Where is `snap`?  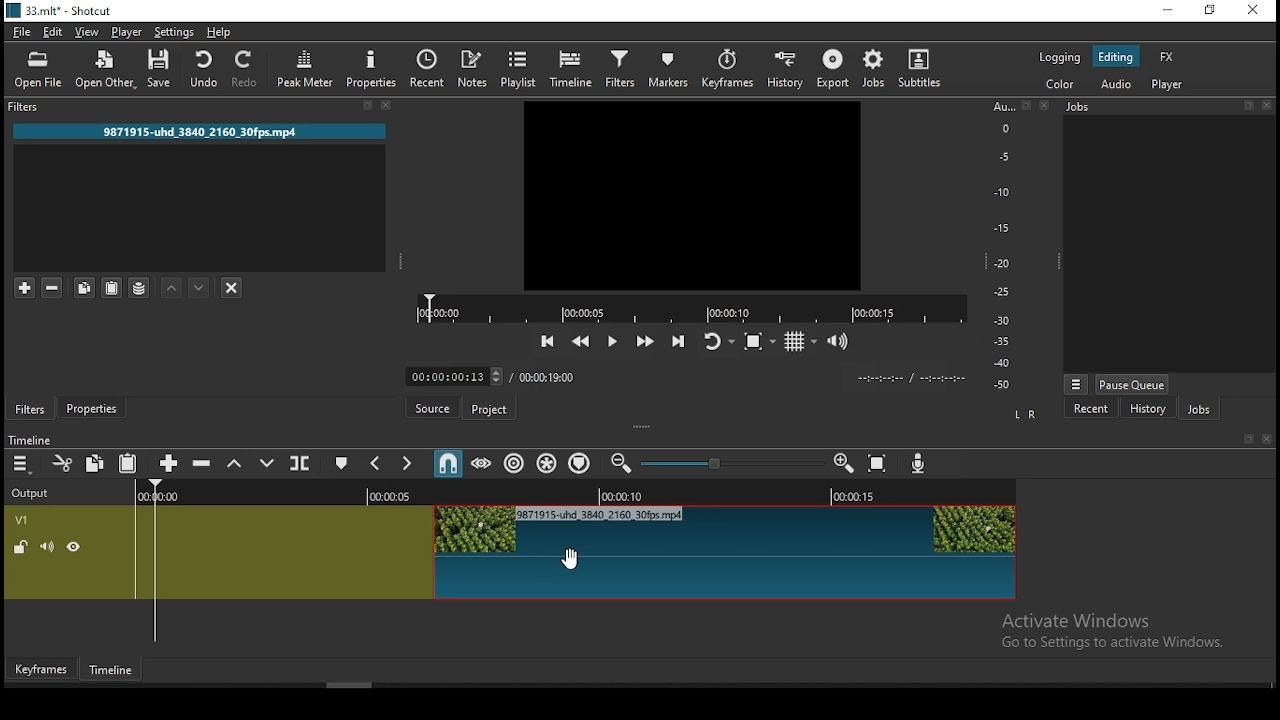 snap is located at coordinates (451, 465).